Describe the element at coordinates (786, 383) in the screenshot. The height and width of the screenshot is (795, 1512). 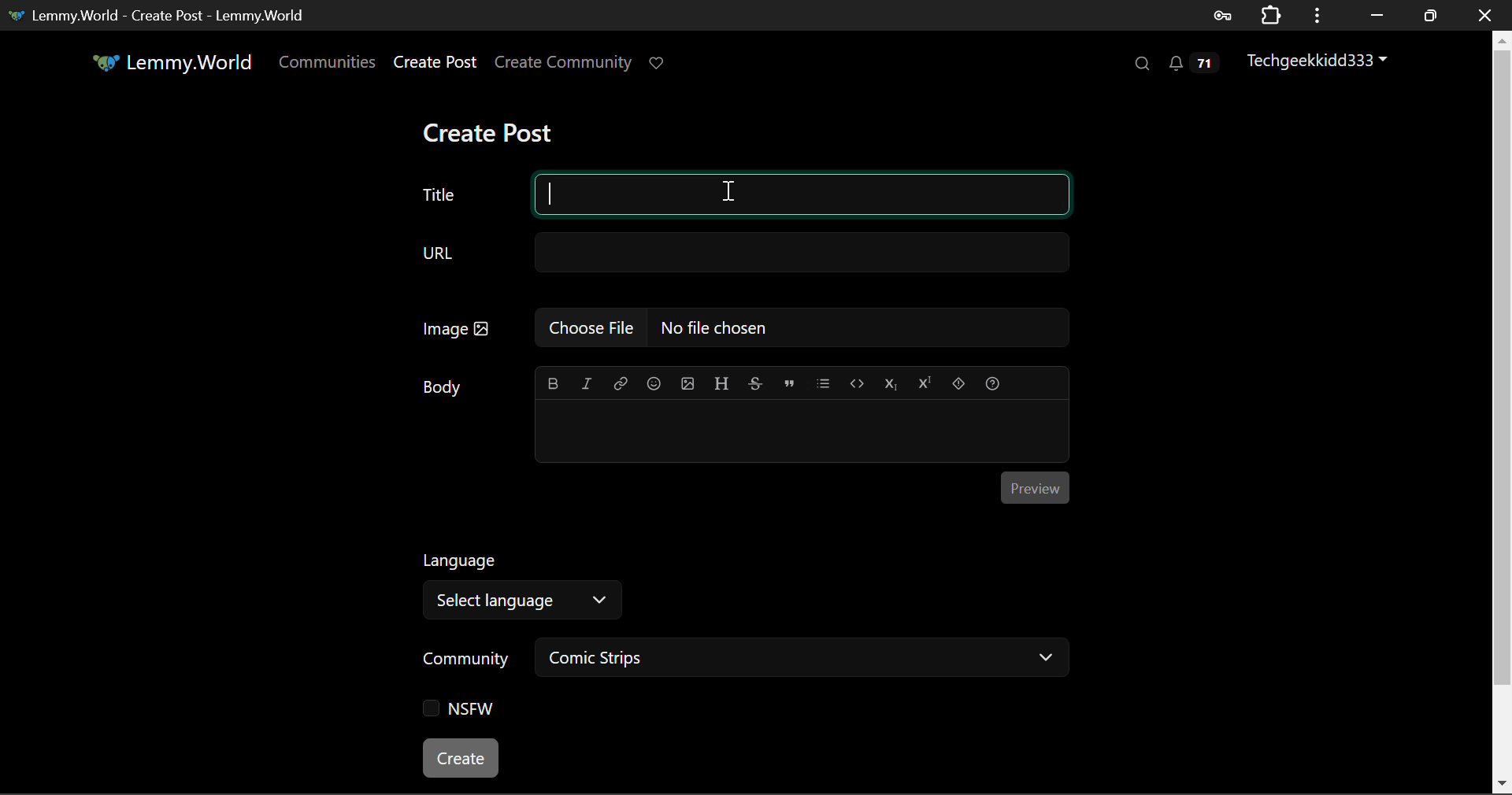
I see `quote` at that location.